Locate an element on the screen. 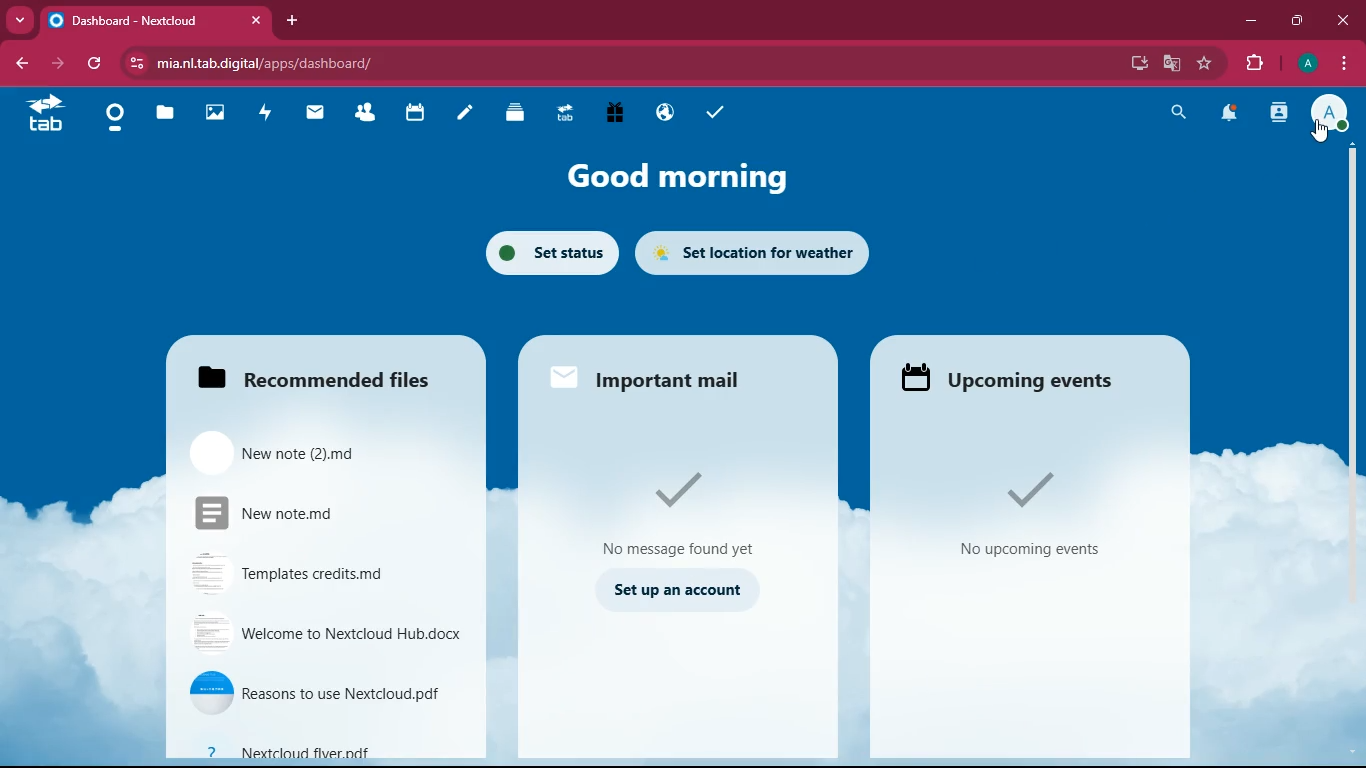 This screenshot has width=1366, height=768. tab is located at coordinates (48, 116).